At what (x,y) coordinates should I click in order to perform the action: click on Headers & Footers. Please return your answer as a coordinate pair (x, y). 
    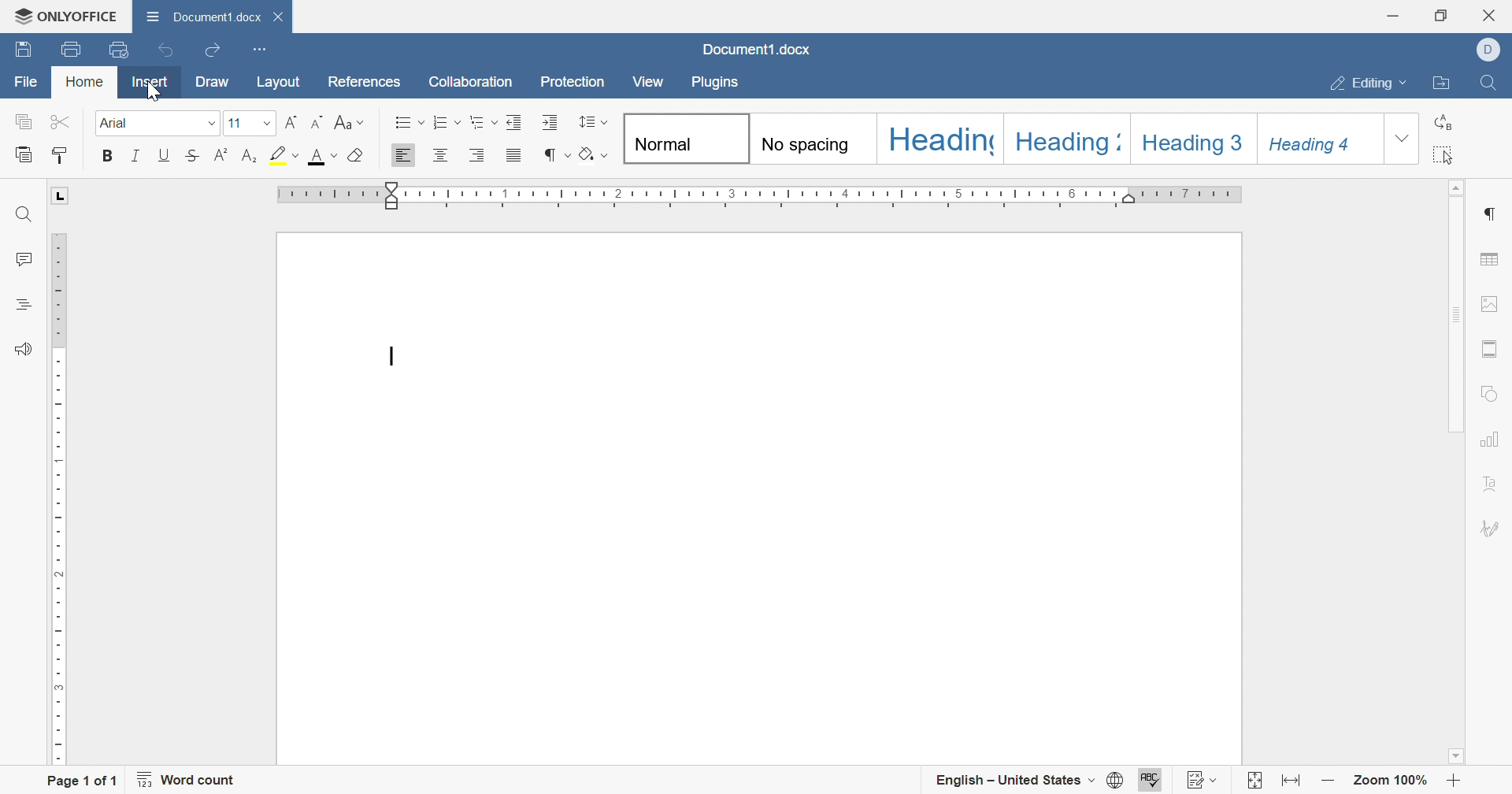
    Looking at the image, I should click on (1491, 349).